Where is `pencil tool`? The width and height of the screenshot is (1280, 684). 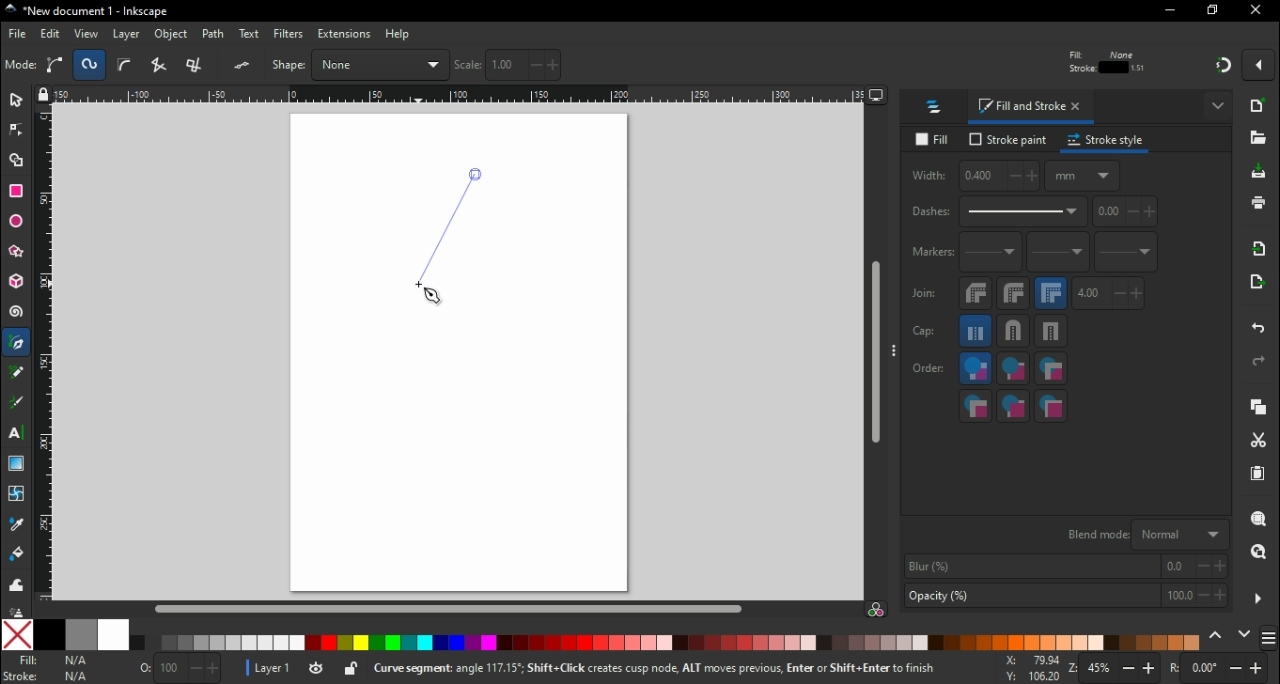 pencil tool is located at coordinates (17, 379).